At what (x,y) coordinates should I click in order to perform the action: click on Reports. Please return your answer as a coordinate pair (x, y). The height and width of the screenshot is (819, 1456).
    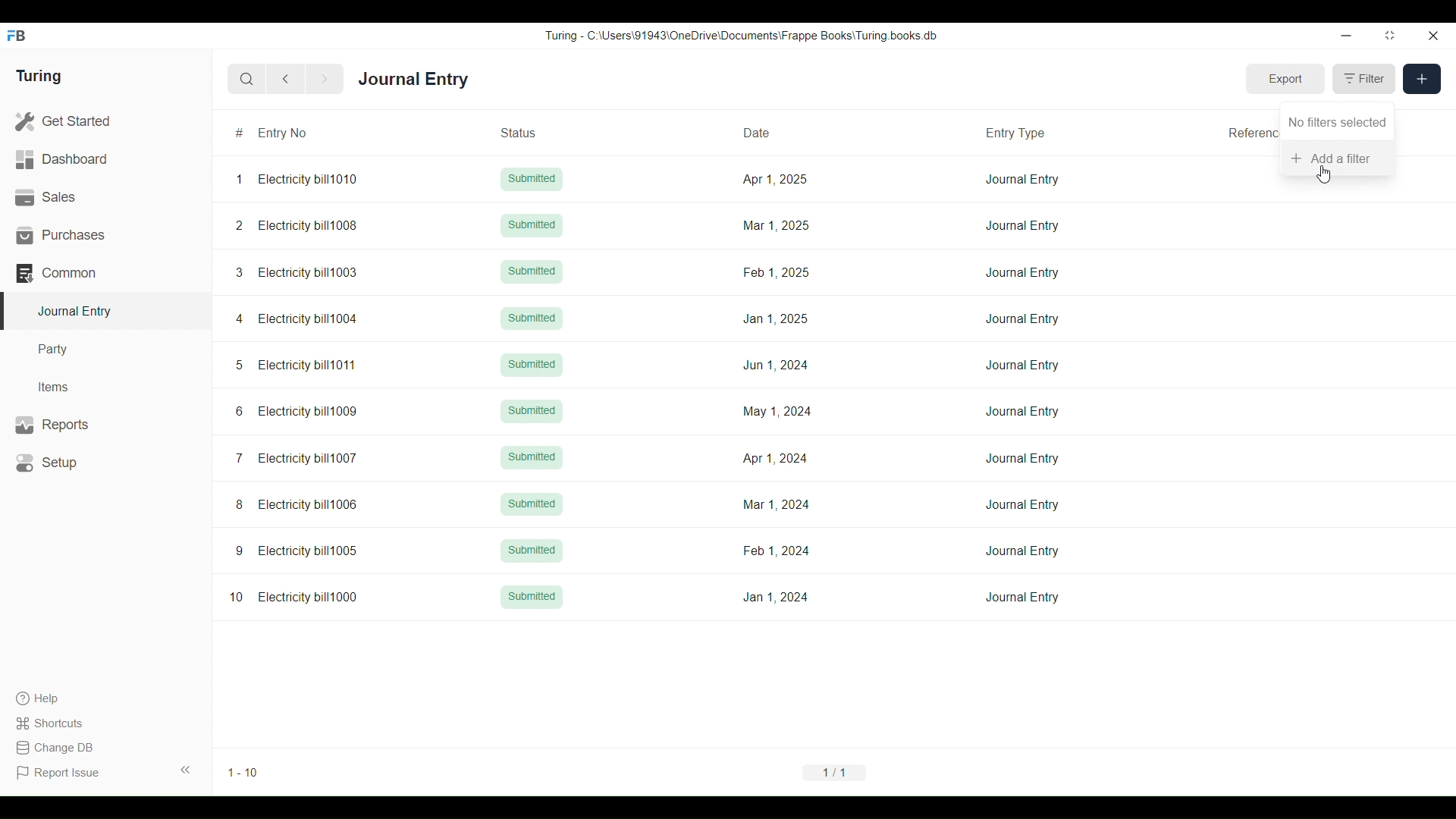
    Looking at the image, I should click on (107, 425).